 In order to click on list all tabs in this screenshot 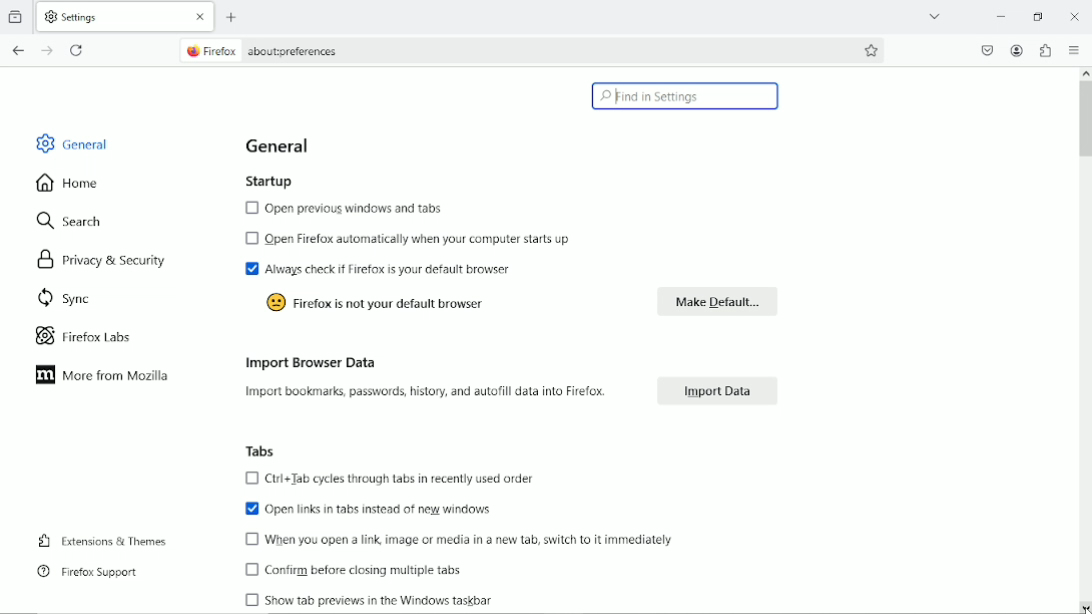, I will do `click(934, 16)`.